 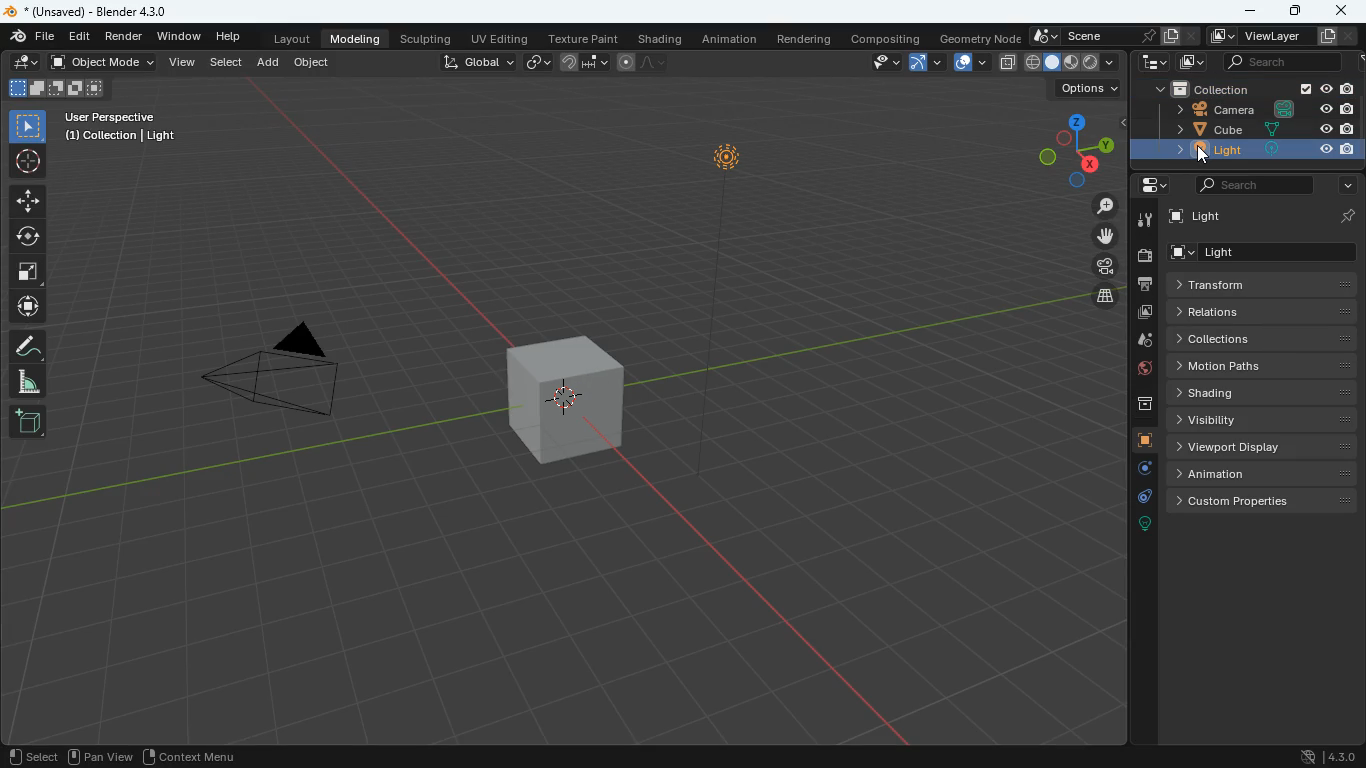 What do you see at coordinates (1204, 156) in the screenshot?
I see `Cursor` at bounding box center [1204, 156].